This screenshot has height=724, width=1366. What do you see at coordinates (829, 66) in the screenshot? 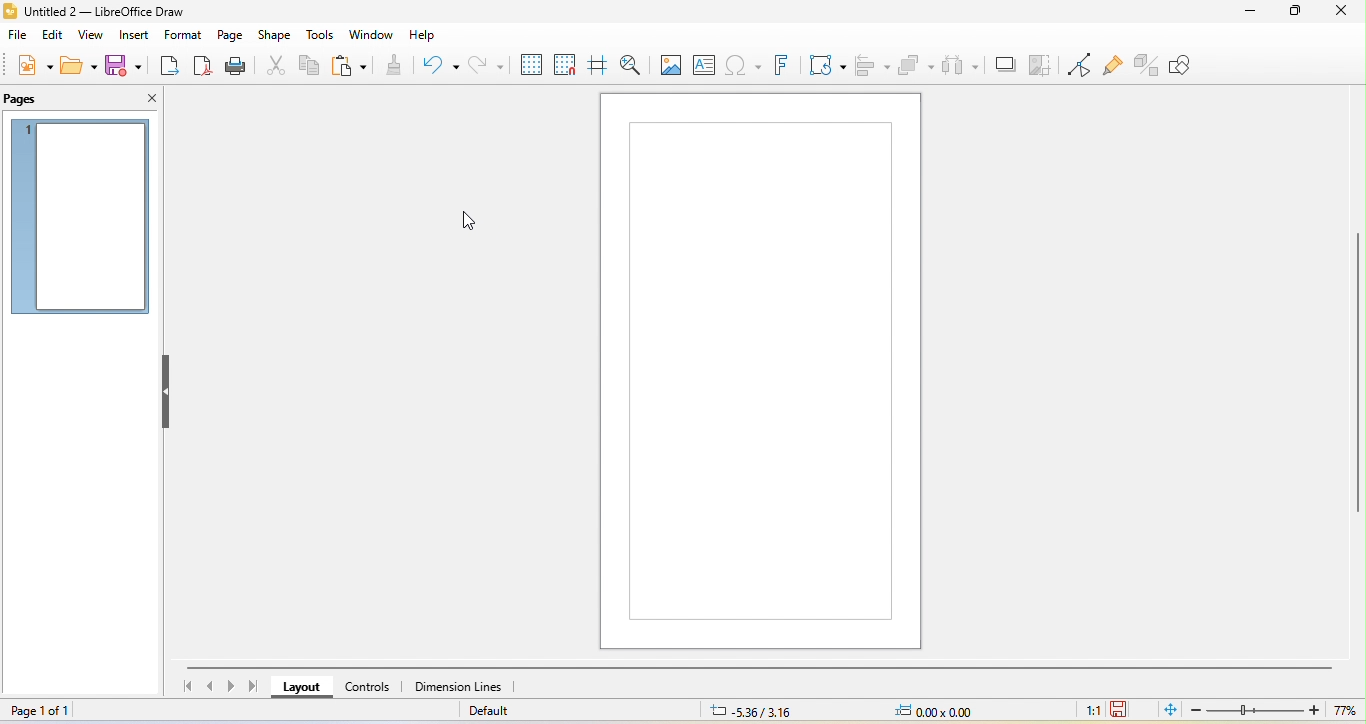
I see `transformation` at bounding box center [829, 66].